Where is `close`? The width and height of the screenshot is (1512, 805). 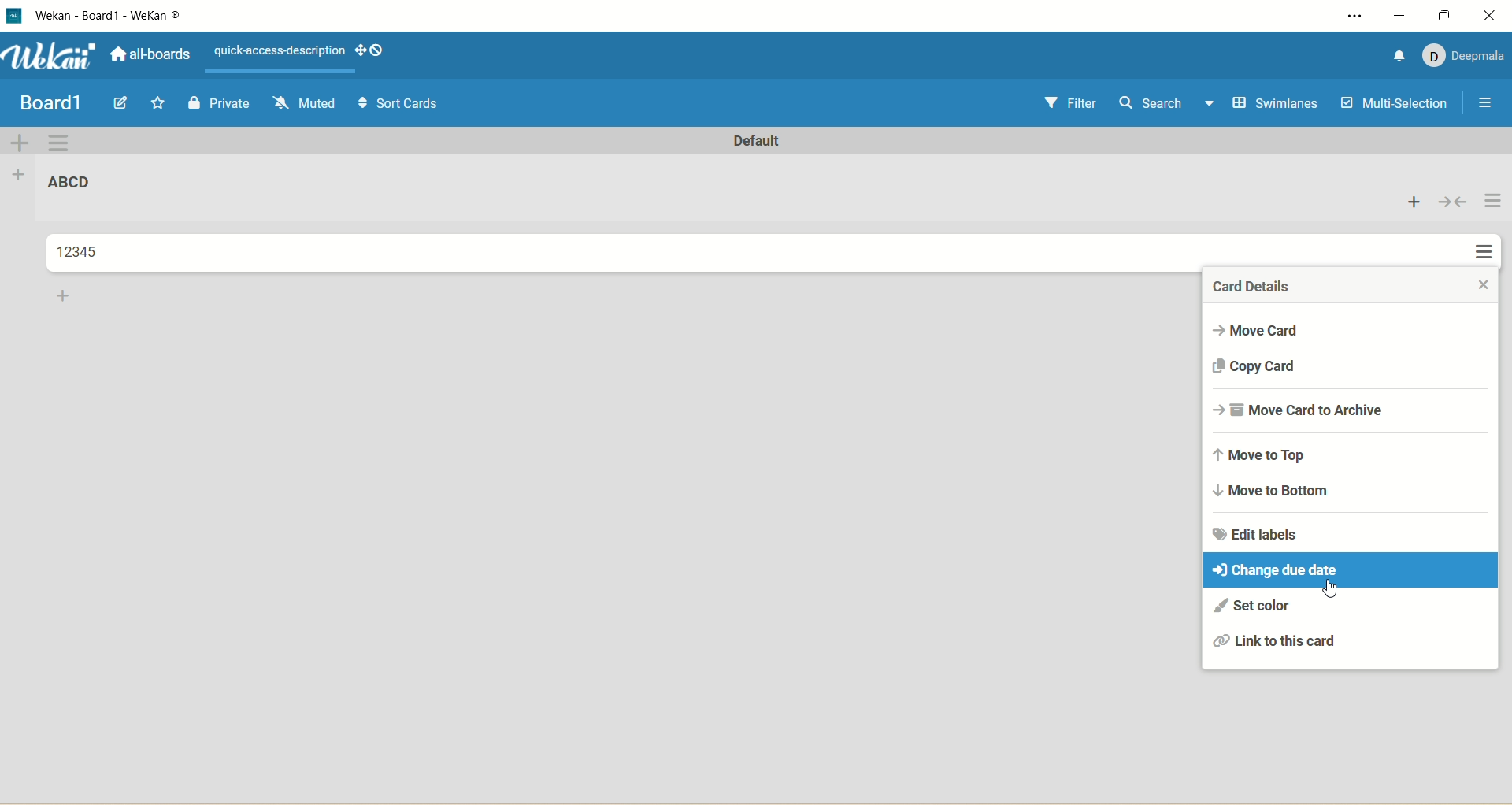
close is located at coordinates (1493, 15).